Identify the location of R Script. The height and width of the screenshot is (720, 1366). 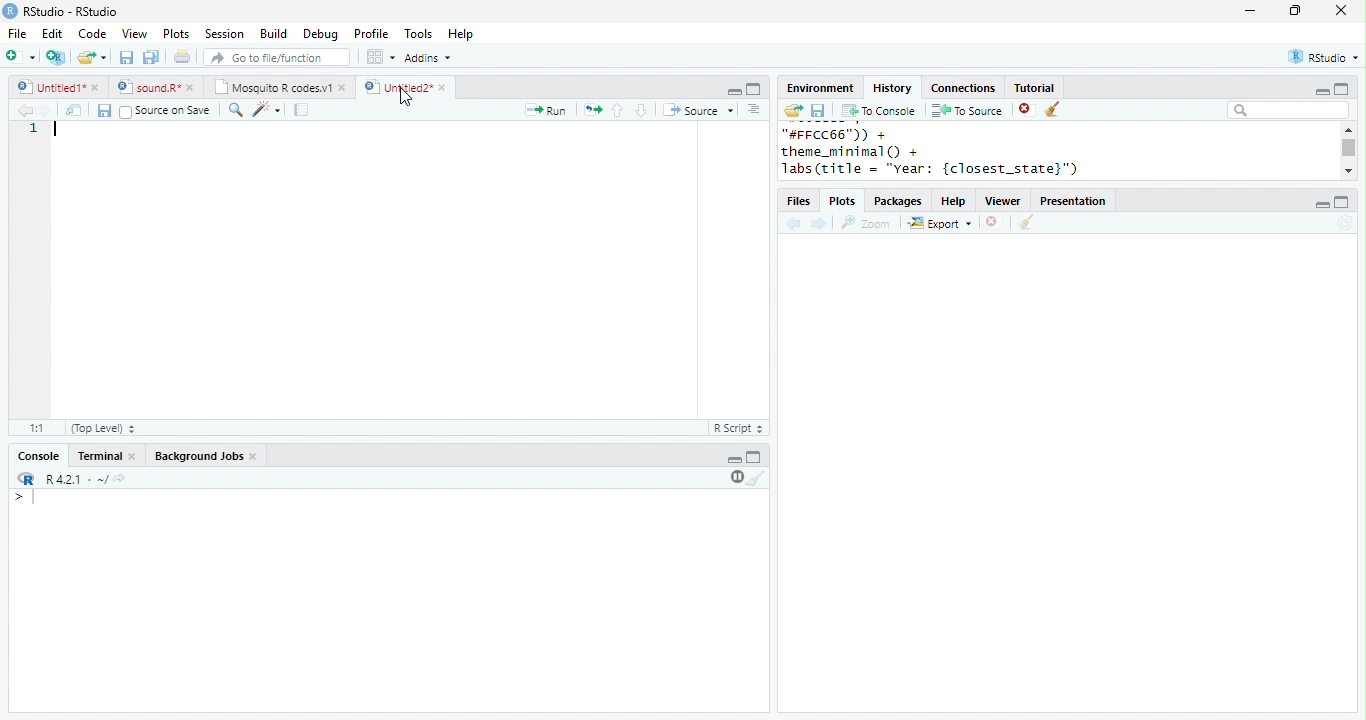
(737, 427).